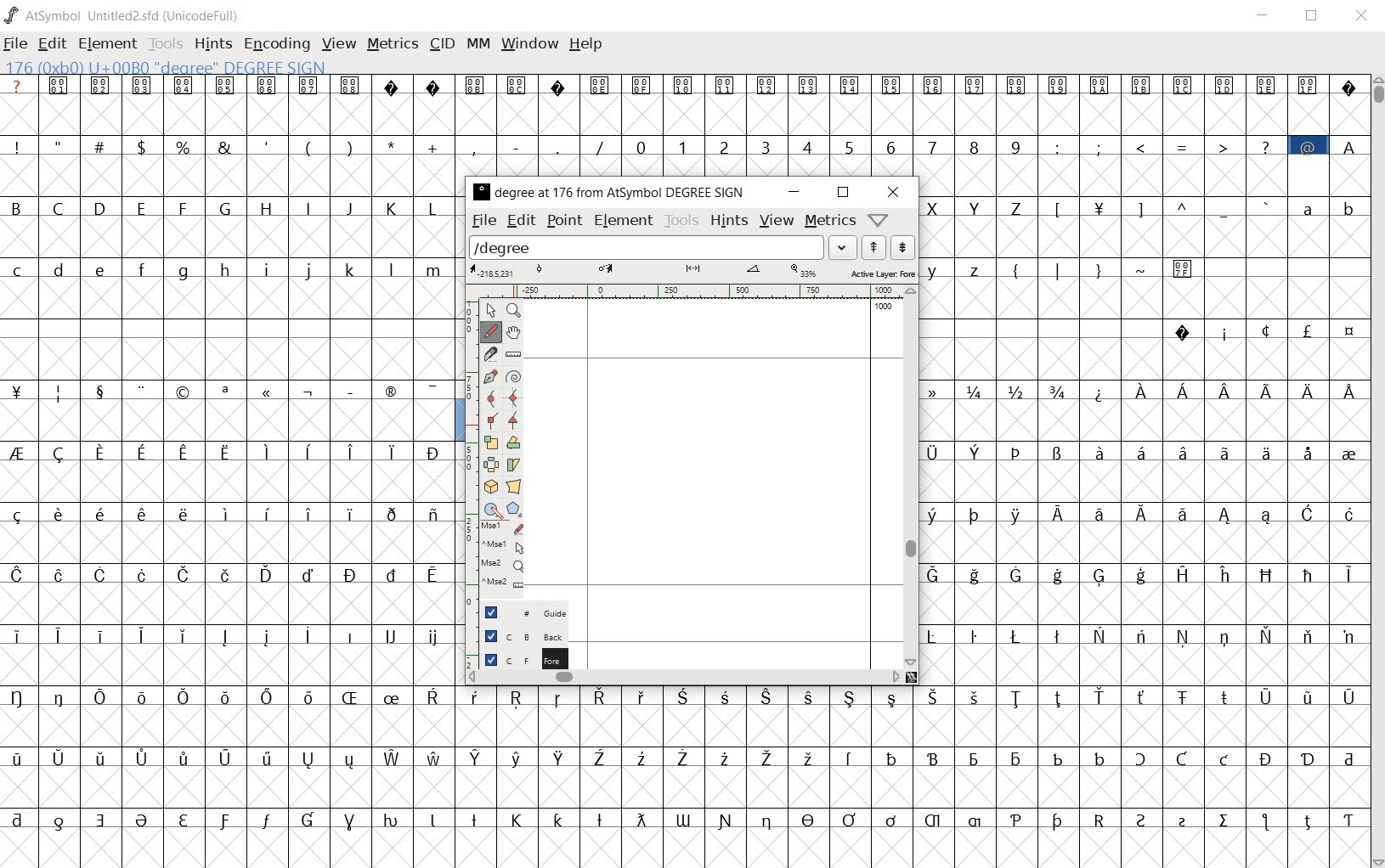  What do you see at coordinates (490, 310) in the screenshot?
I see `pointer` at bounding box center [490, 310].